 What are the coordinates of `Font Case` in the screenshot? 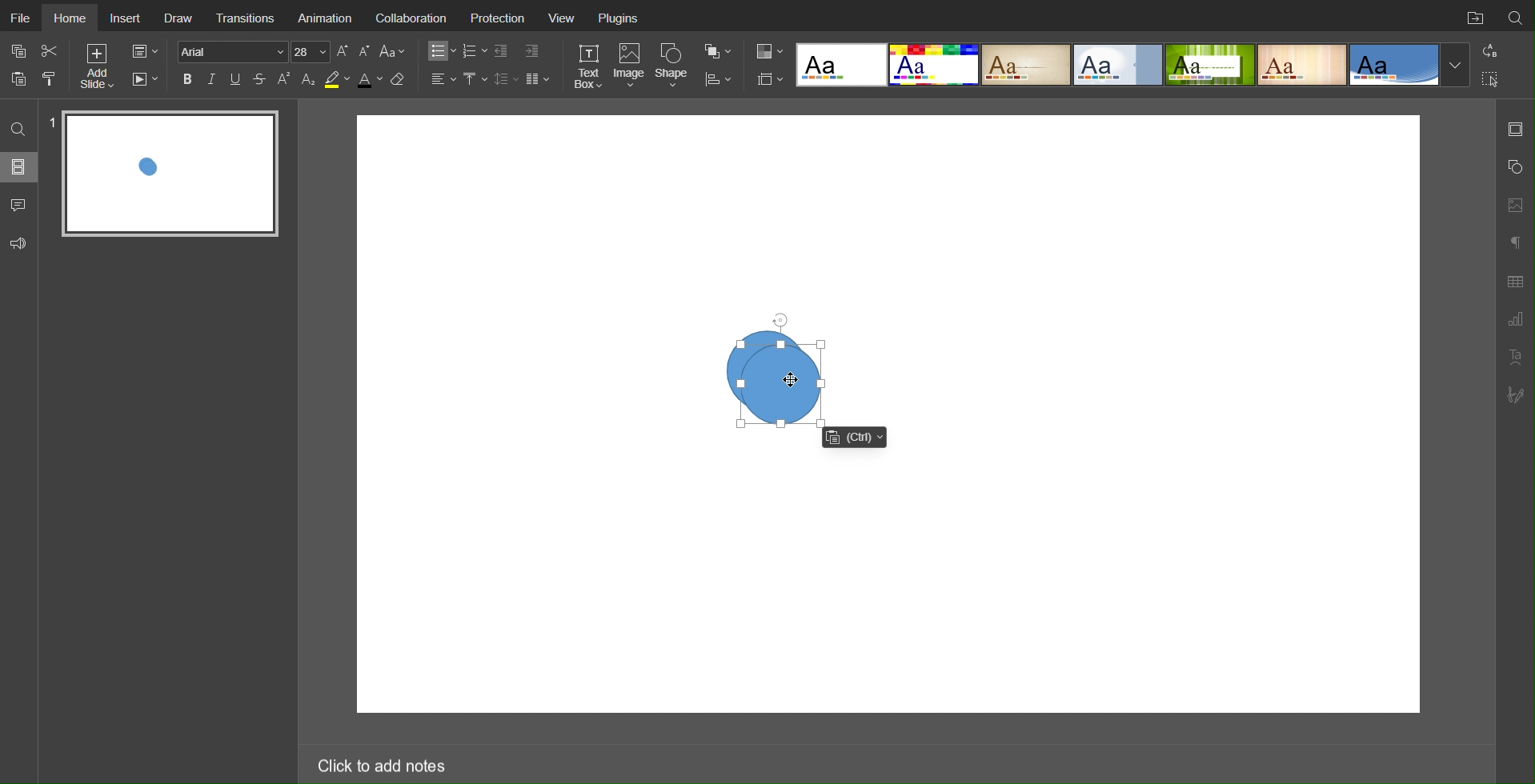 It's located at (394, 51).